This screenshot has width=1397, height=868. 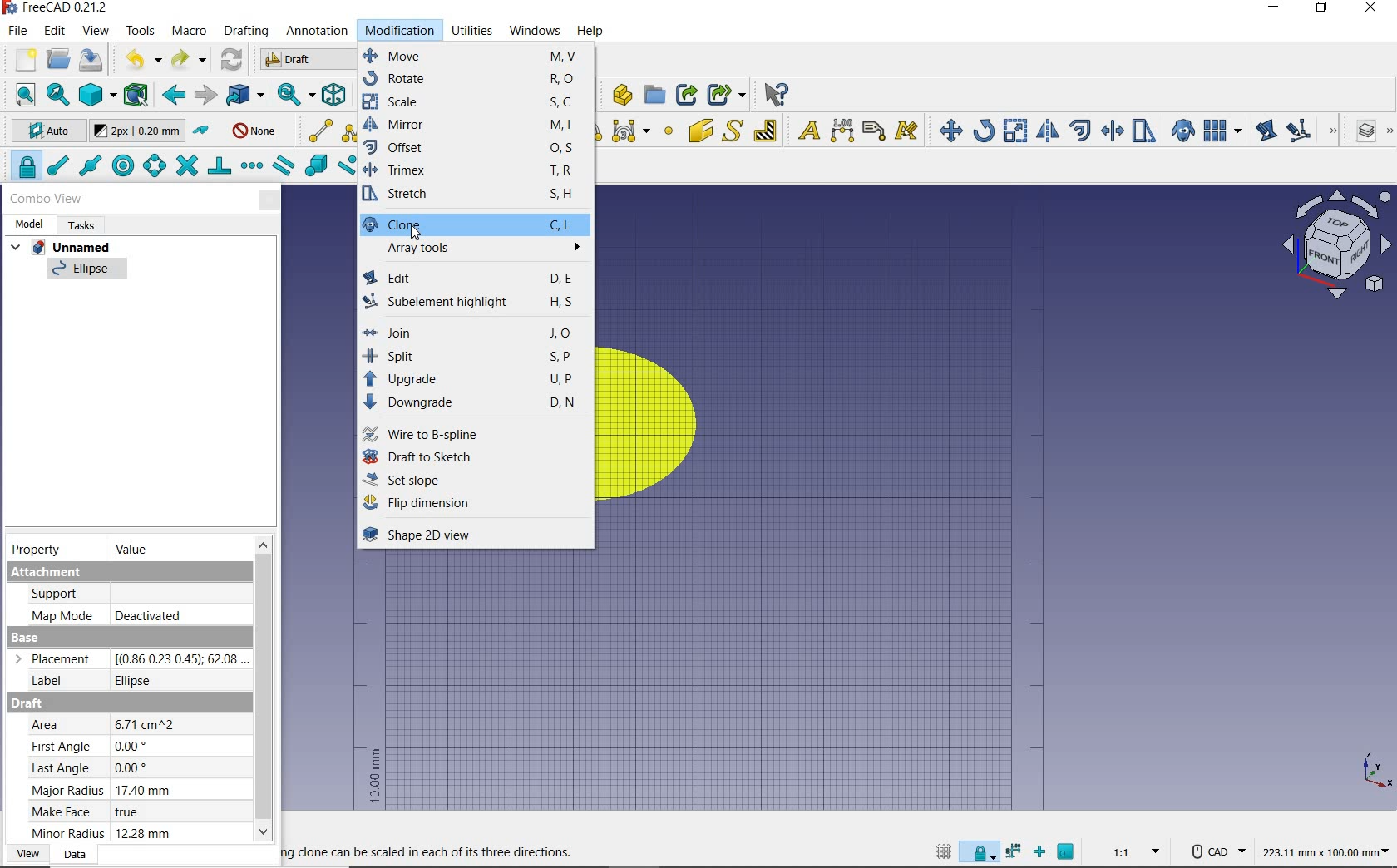 I want to click on Modification, so click(x=401, y=32).